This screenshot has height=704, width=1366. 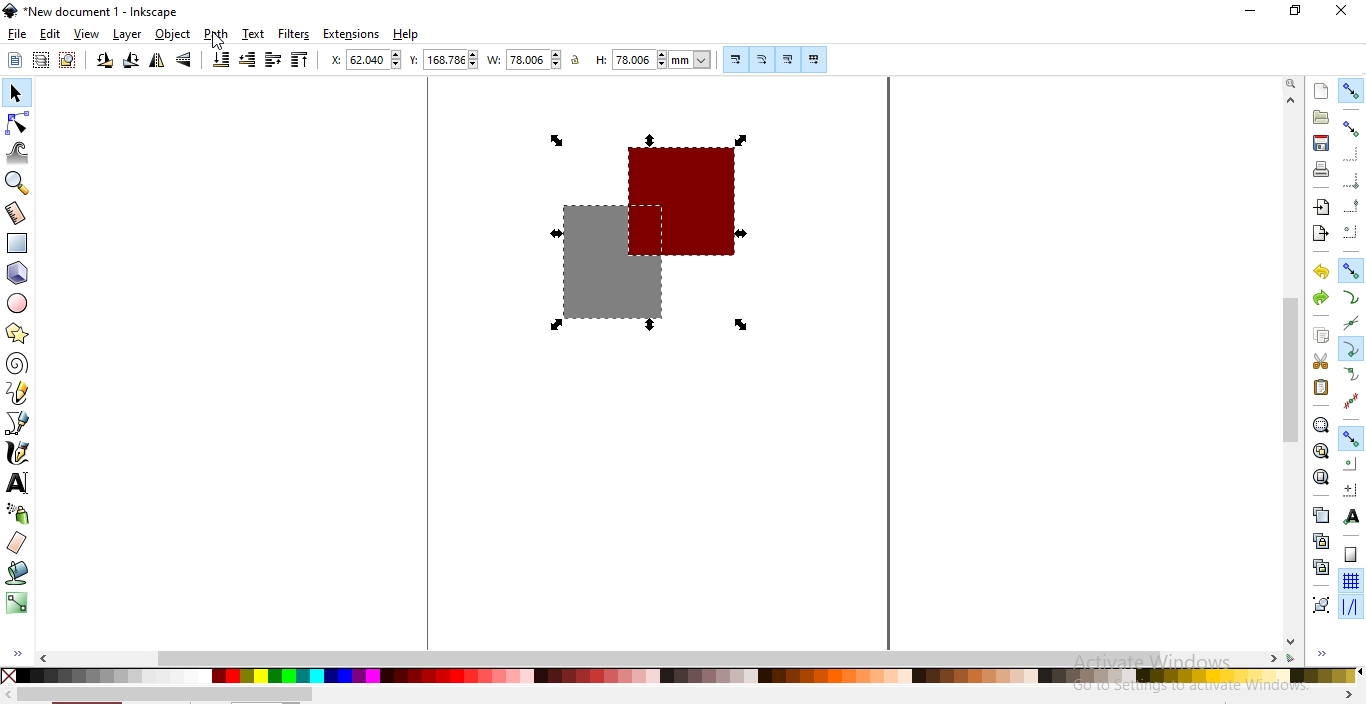 I want to click on create and edit text objects, so click(x=17, y=483).